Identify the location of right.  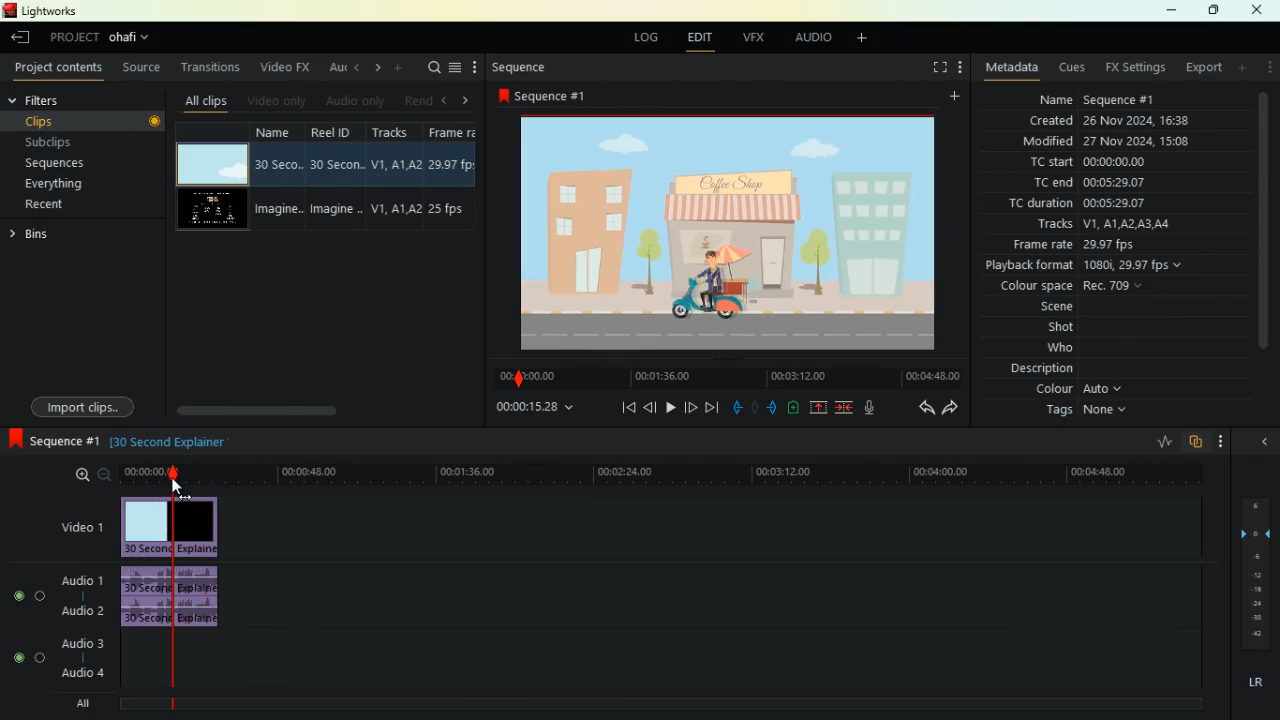
(379, 70).